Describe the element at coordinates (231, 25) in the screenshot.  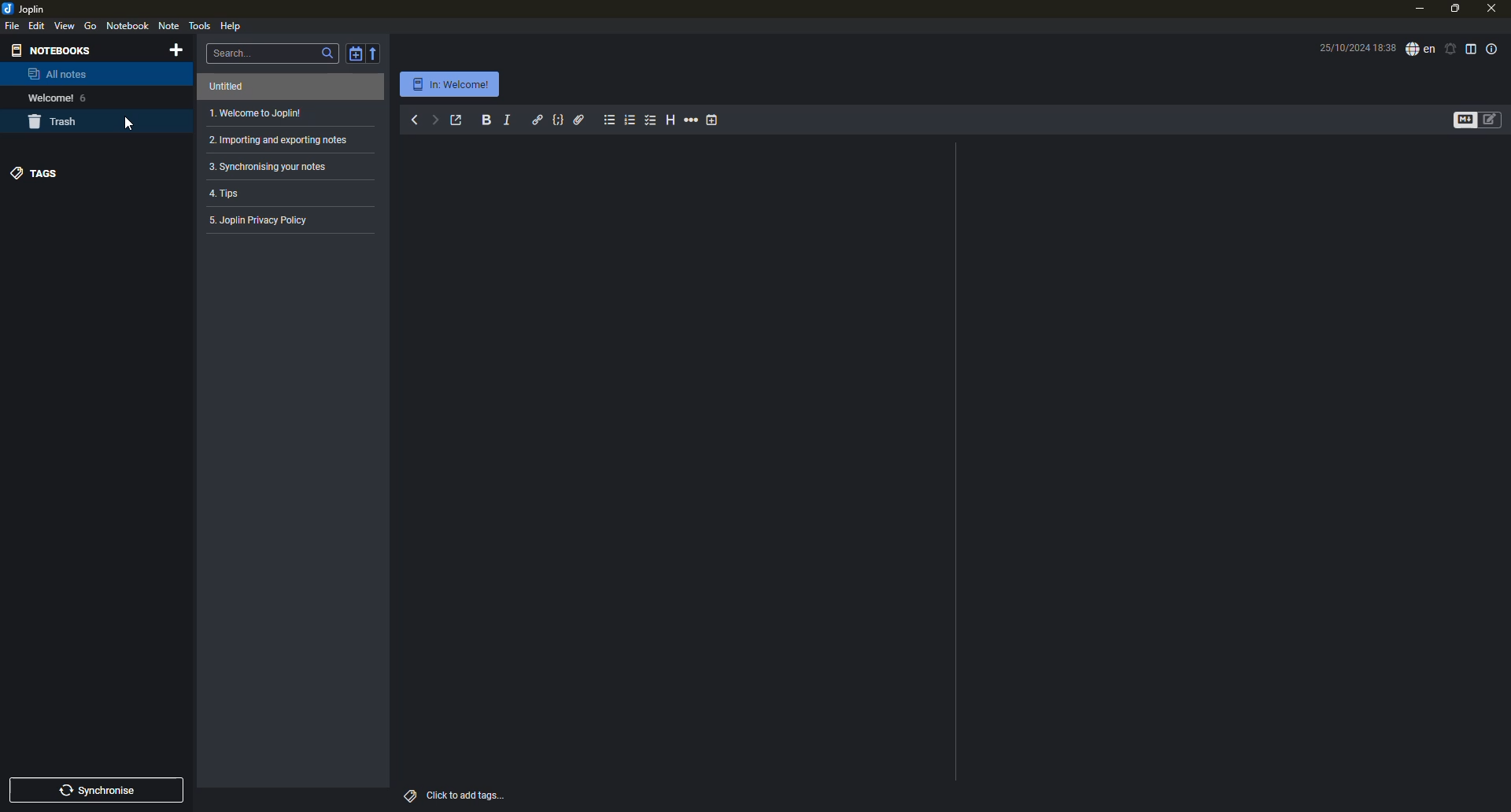
I see `help` at that location.